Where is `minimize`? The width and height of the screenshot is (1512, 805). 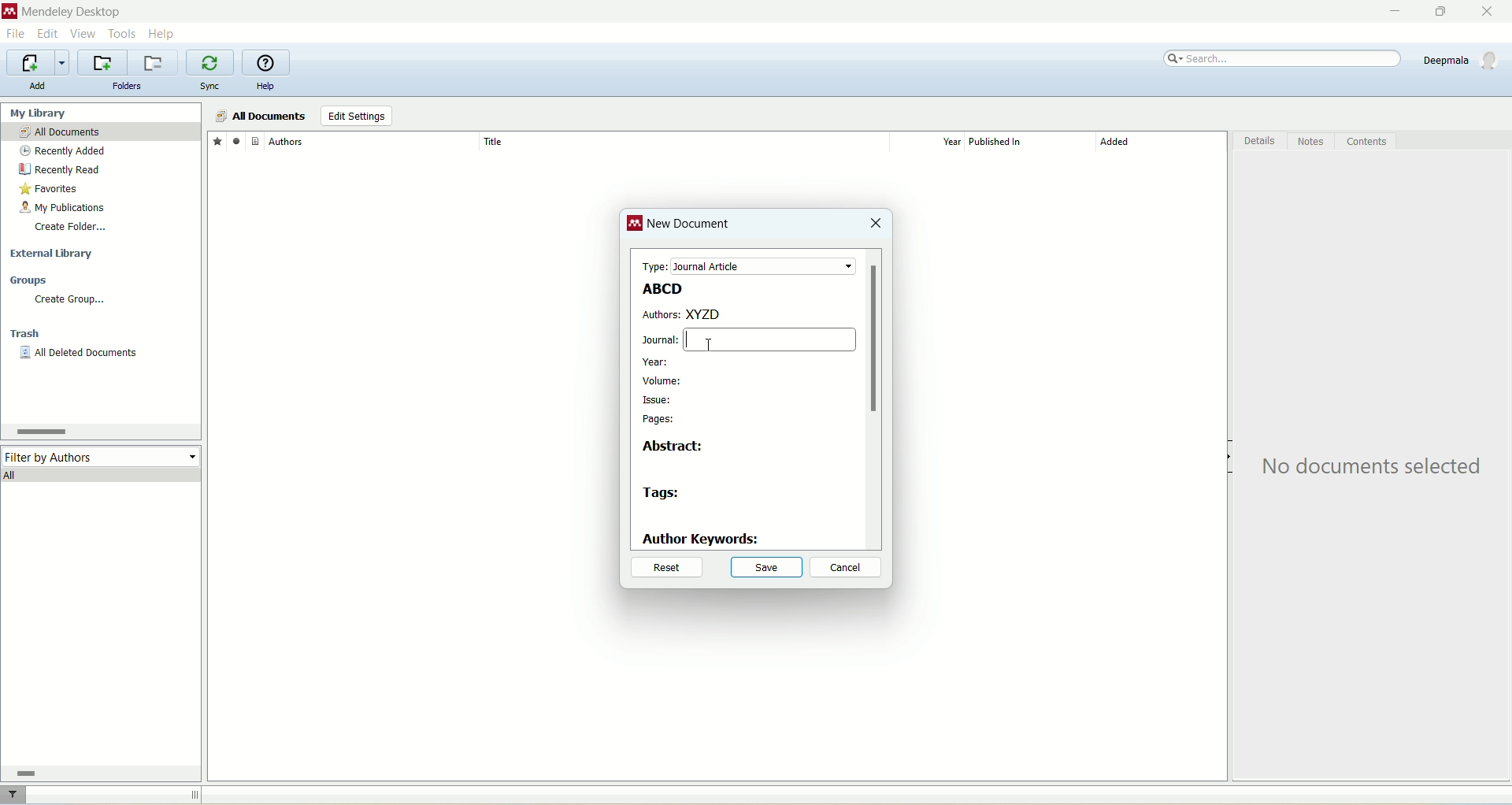 minimize is located at coordinates (1392, 12).